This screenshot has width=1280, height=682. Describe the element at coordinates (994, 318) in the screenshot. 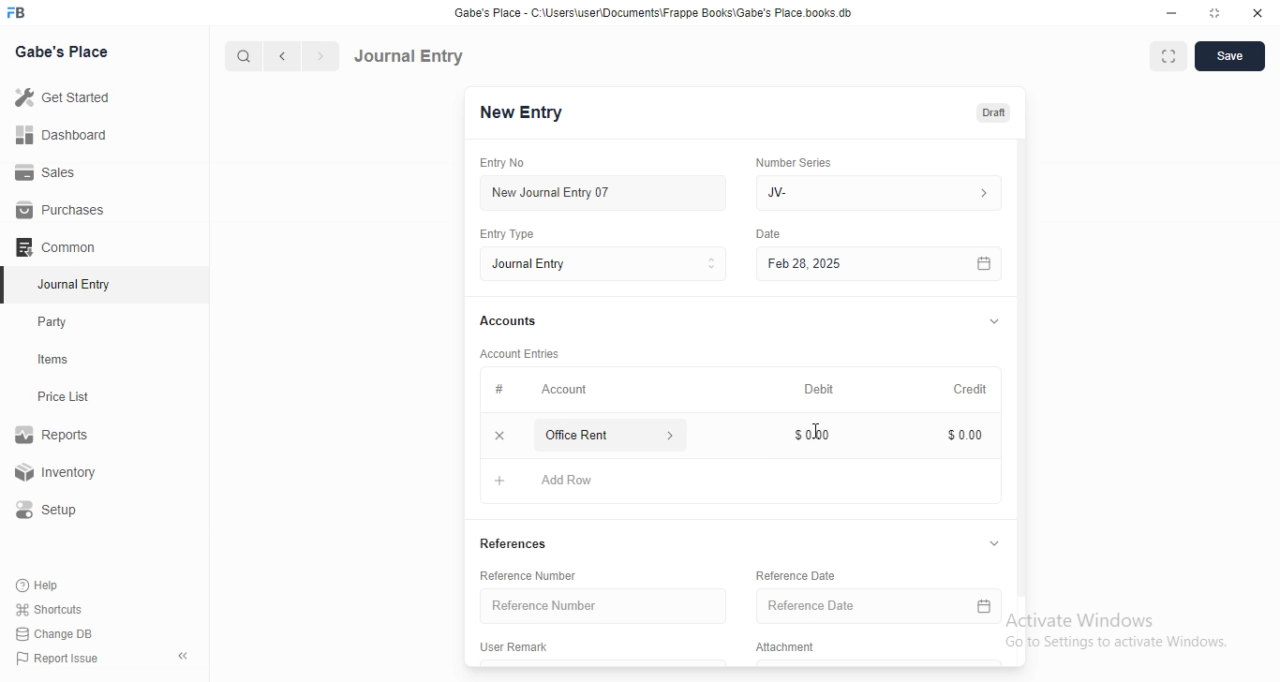

I see `v` at that location.